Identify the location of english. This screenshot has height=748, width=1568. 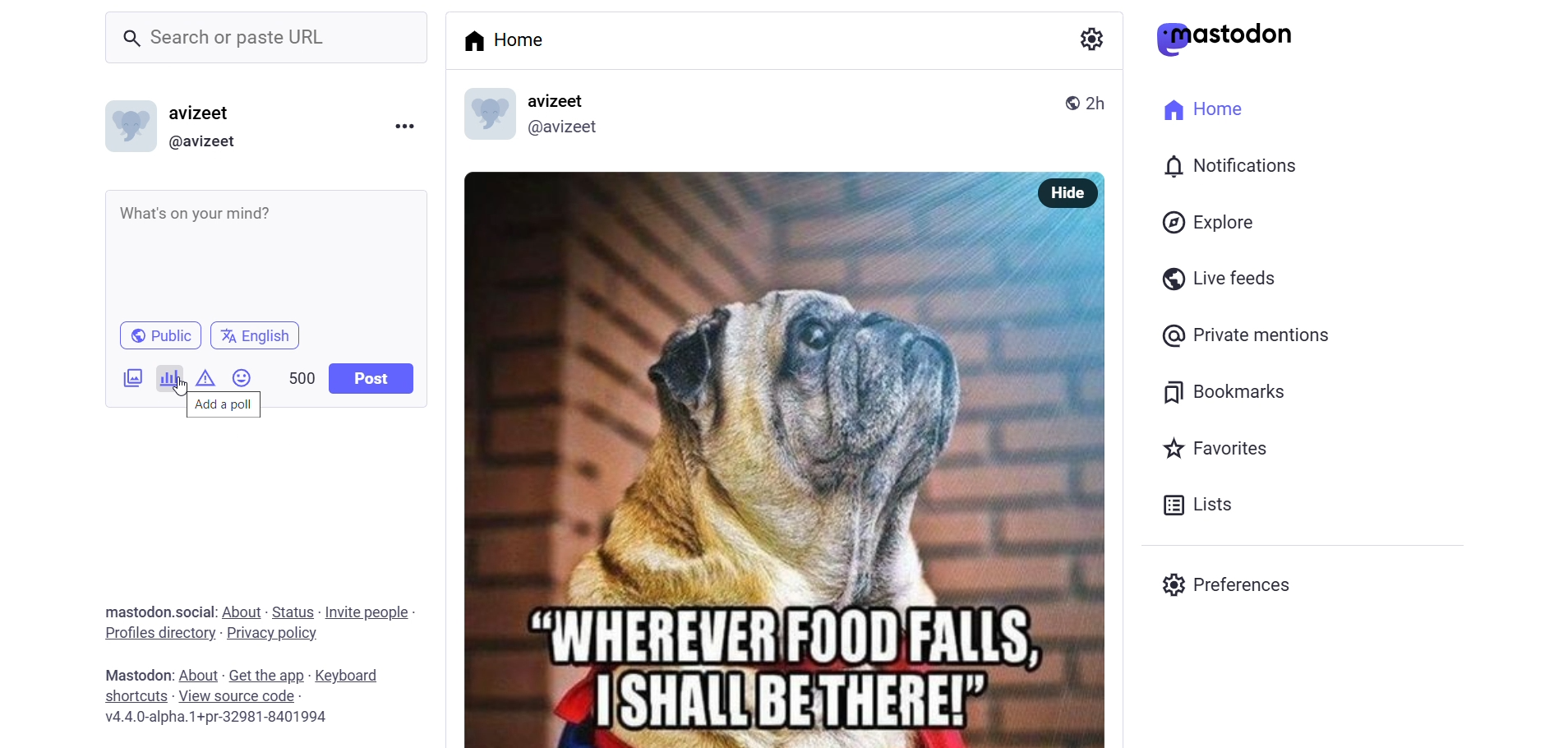
(256, 335).